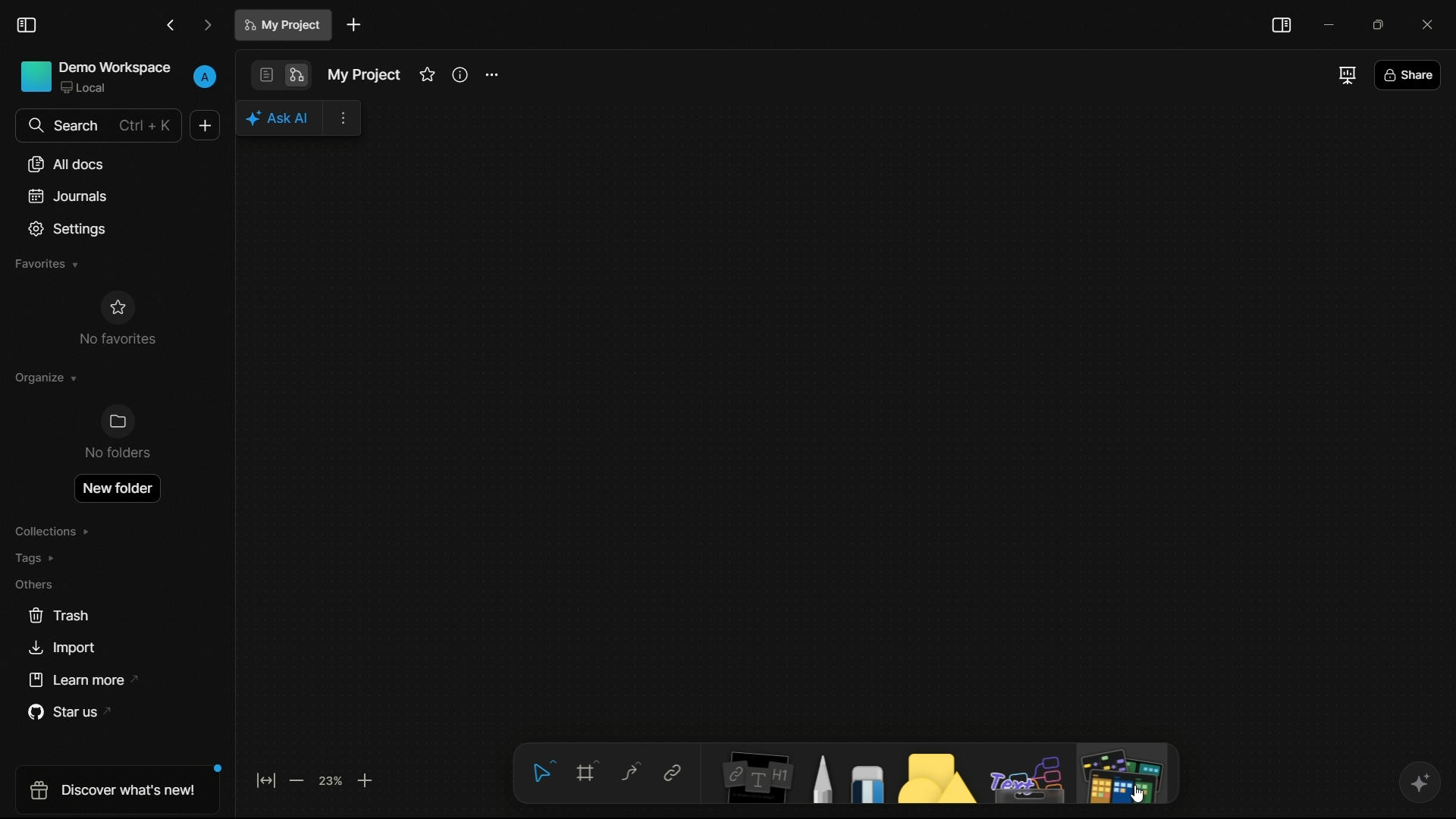 Image resolution: width=1456 pixels, height=819 pixels. Describe the element at coordinates (331, 780) in the screenshot. I see `zoom factor` at that location.